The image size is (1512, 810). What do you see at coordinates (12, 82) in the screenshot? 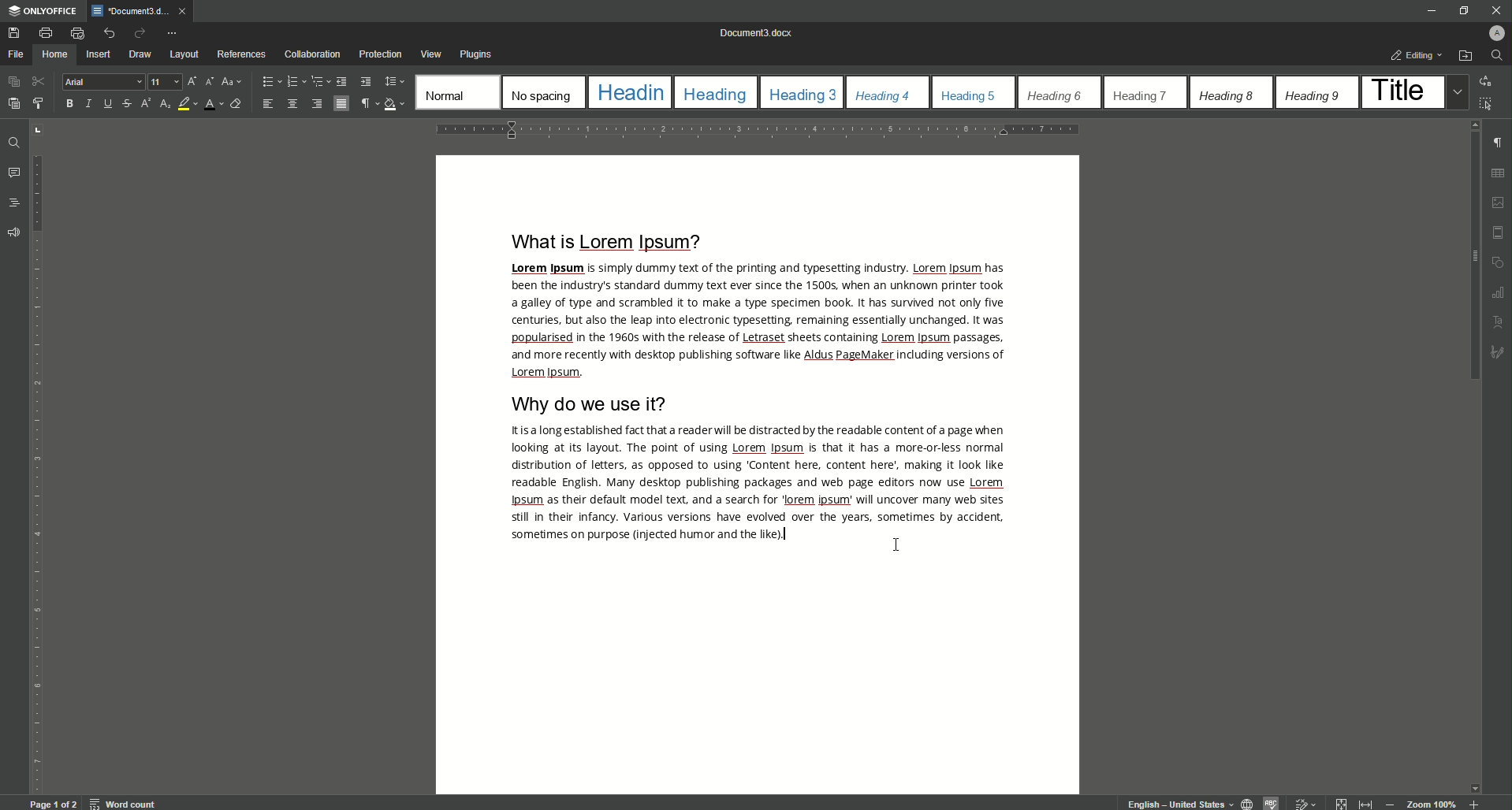
I see `Copy` at bounding box center [12, 82].